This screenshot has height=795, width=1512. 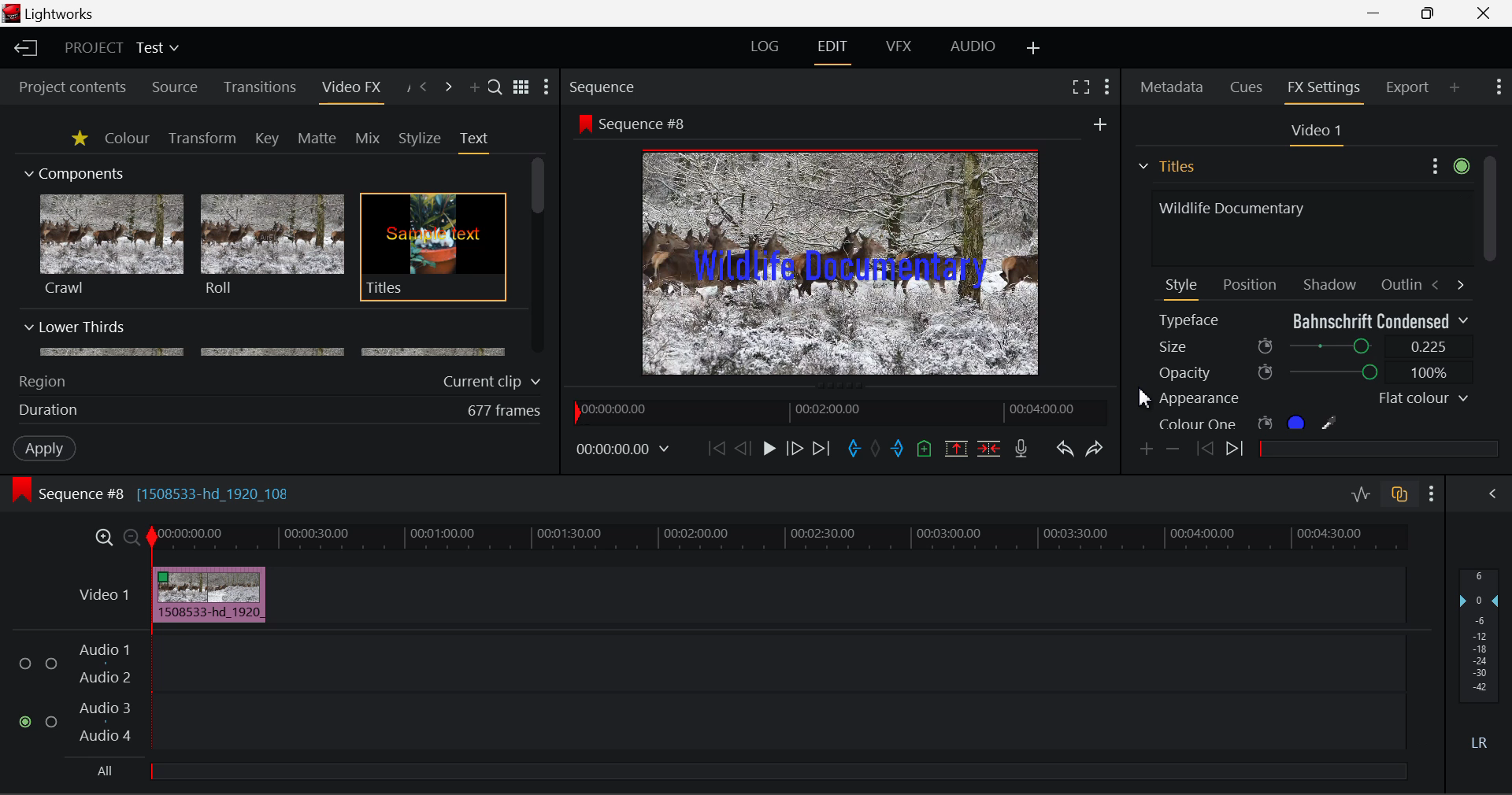 What do you see at coordinates (1399, 283) in the screenshot?
I see `Outline` at bounding box center [1399, 283].